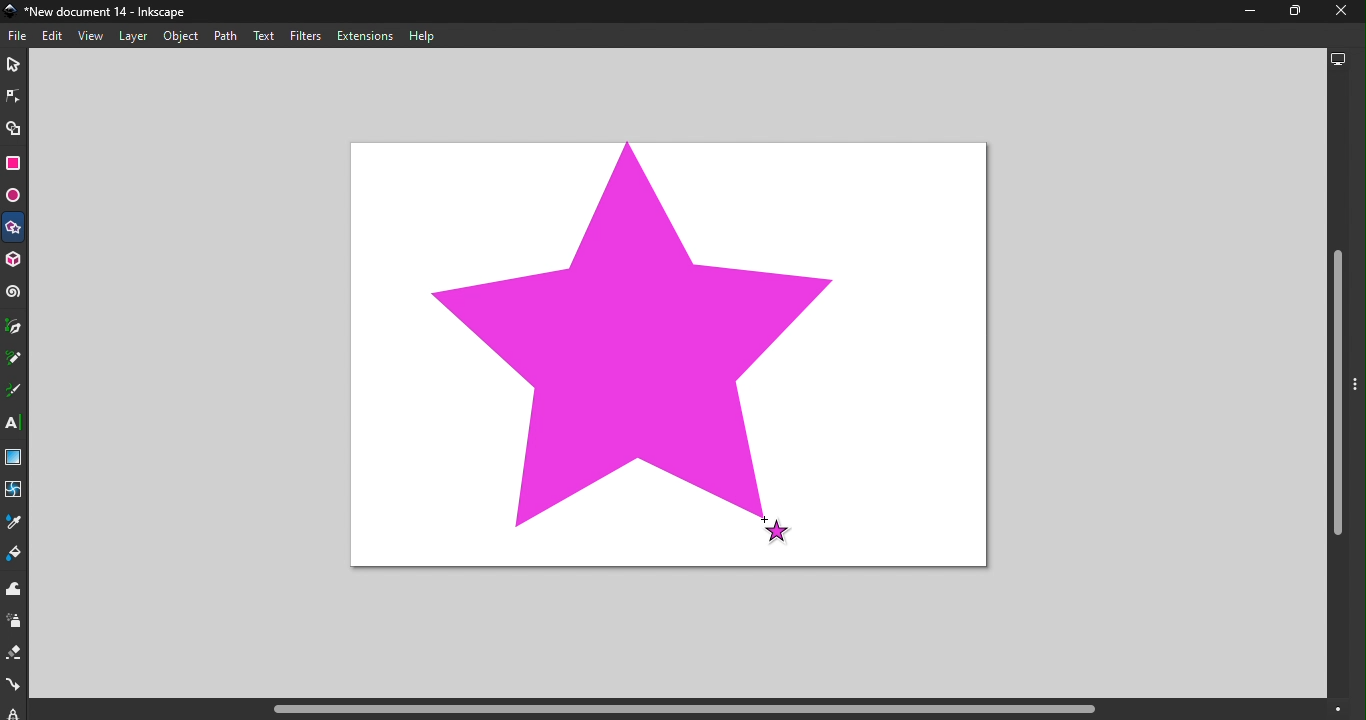 Image resolution: width=1366 pixels, height=720 pixels. What do you see at coordinates (93, 36) in the screenshot?
I see `View` at bounding box center [93, 36].